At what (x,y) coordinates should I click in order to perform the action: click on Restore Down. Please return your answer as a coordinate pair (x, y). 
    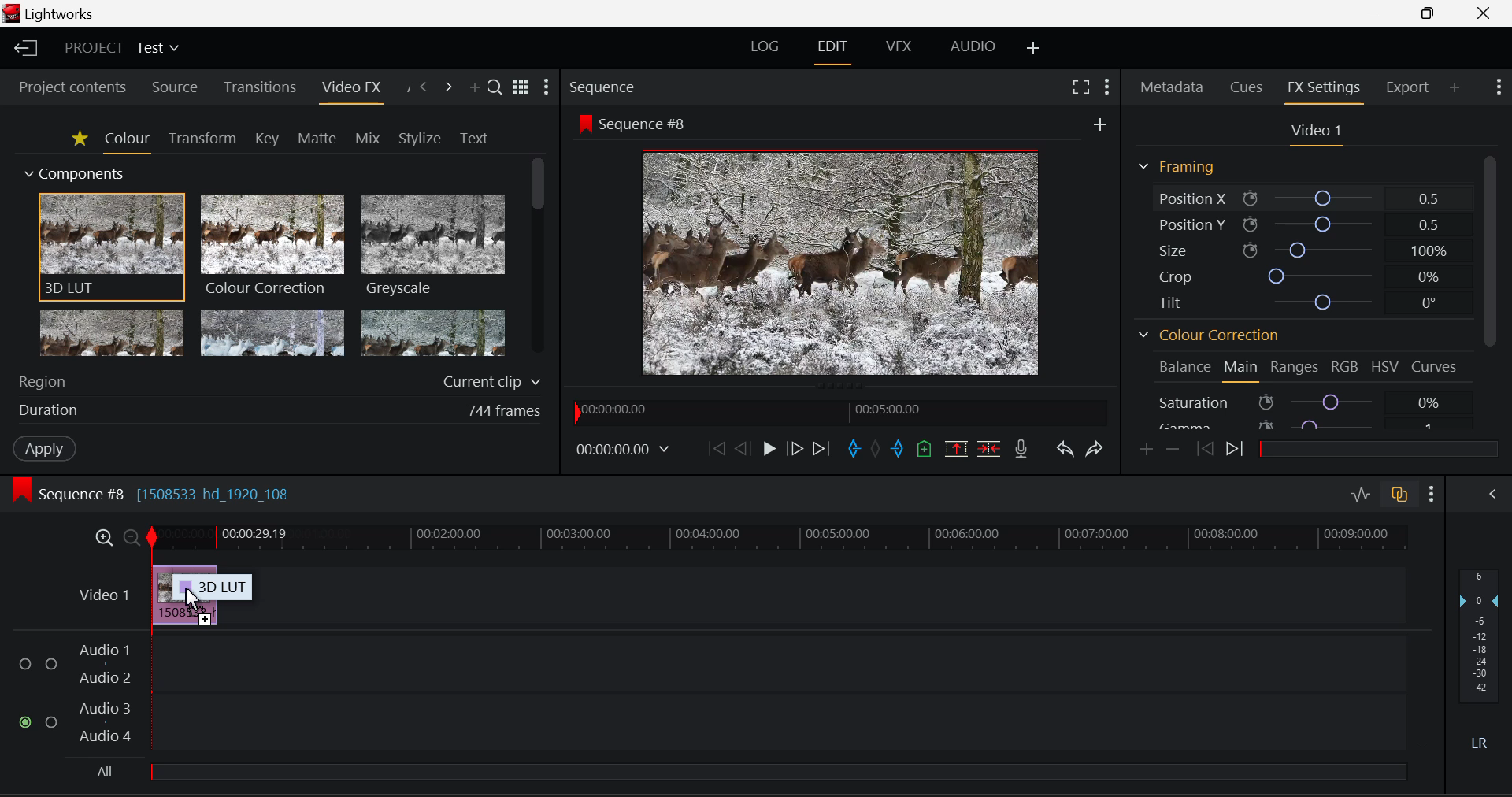
    Looking at the image, I should click on (1376, 13).